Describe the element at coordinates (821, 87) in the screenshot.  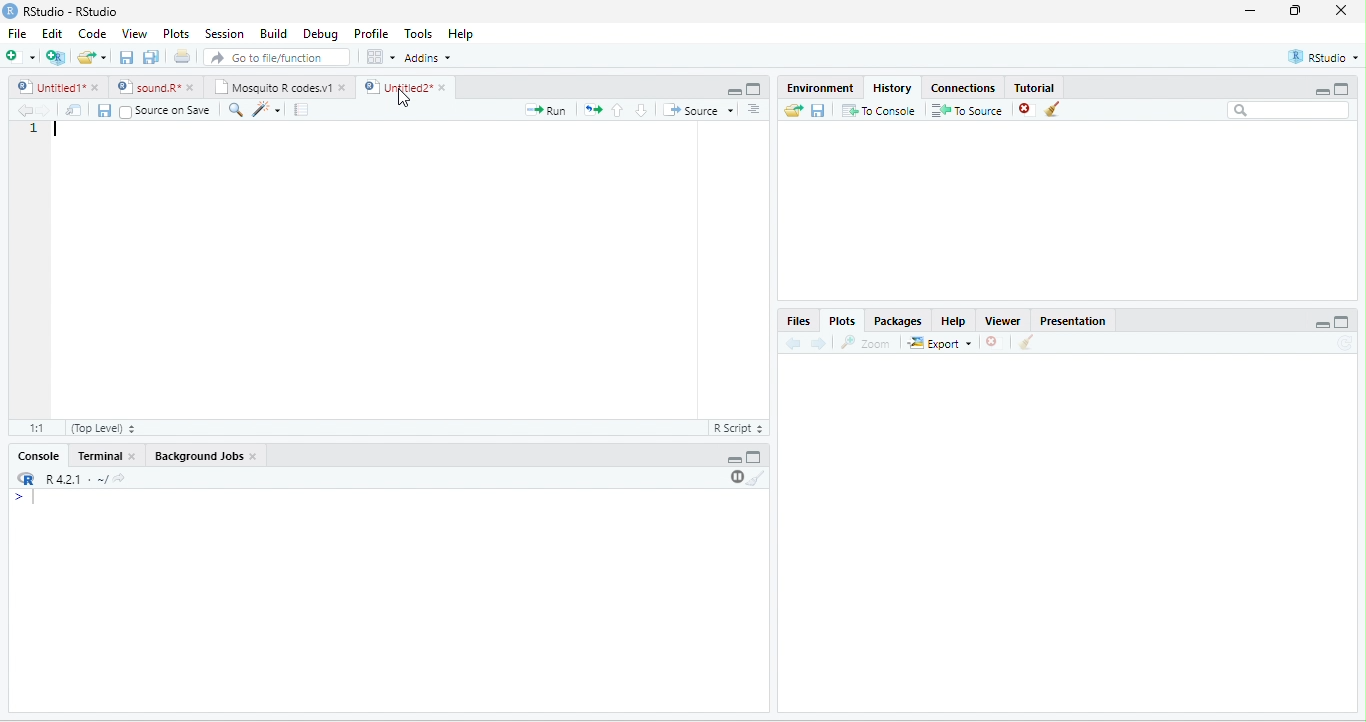
I see `Environment` at that location.